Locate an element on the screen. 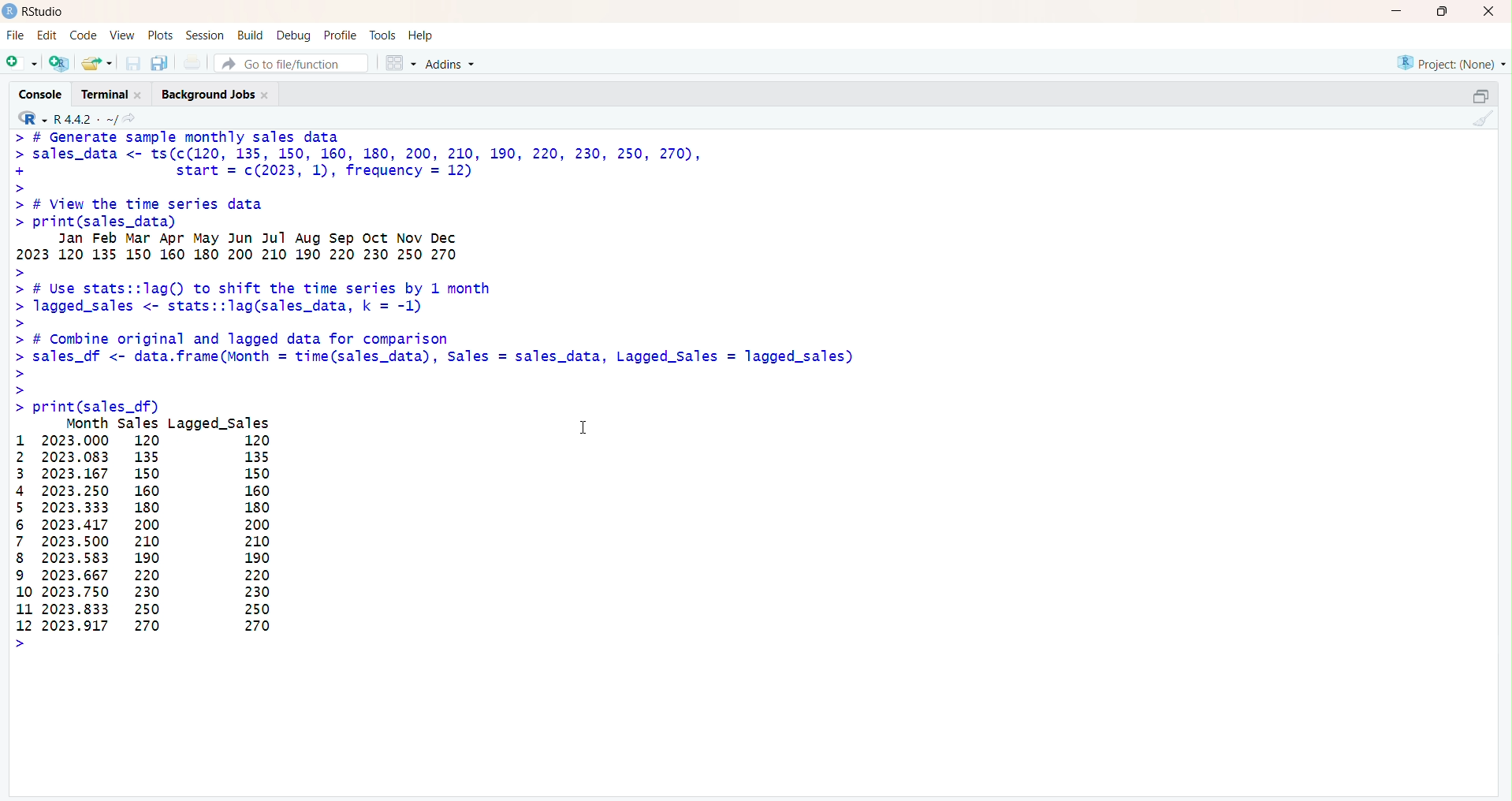  code is located at coordinates (84, 36).